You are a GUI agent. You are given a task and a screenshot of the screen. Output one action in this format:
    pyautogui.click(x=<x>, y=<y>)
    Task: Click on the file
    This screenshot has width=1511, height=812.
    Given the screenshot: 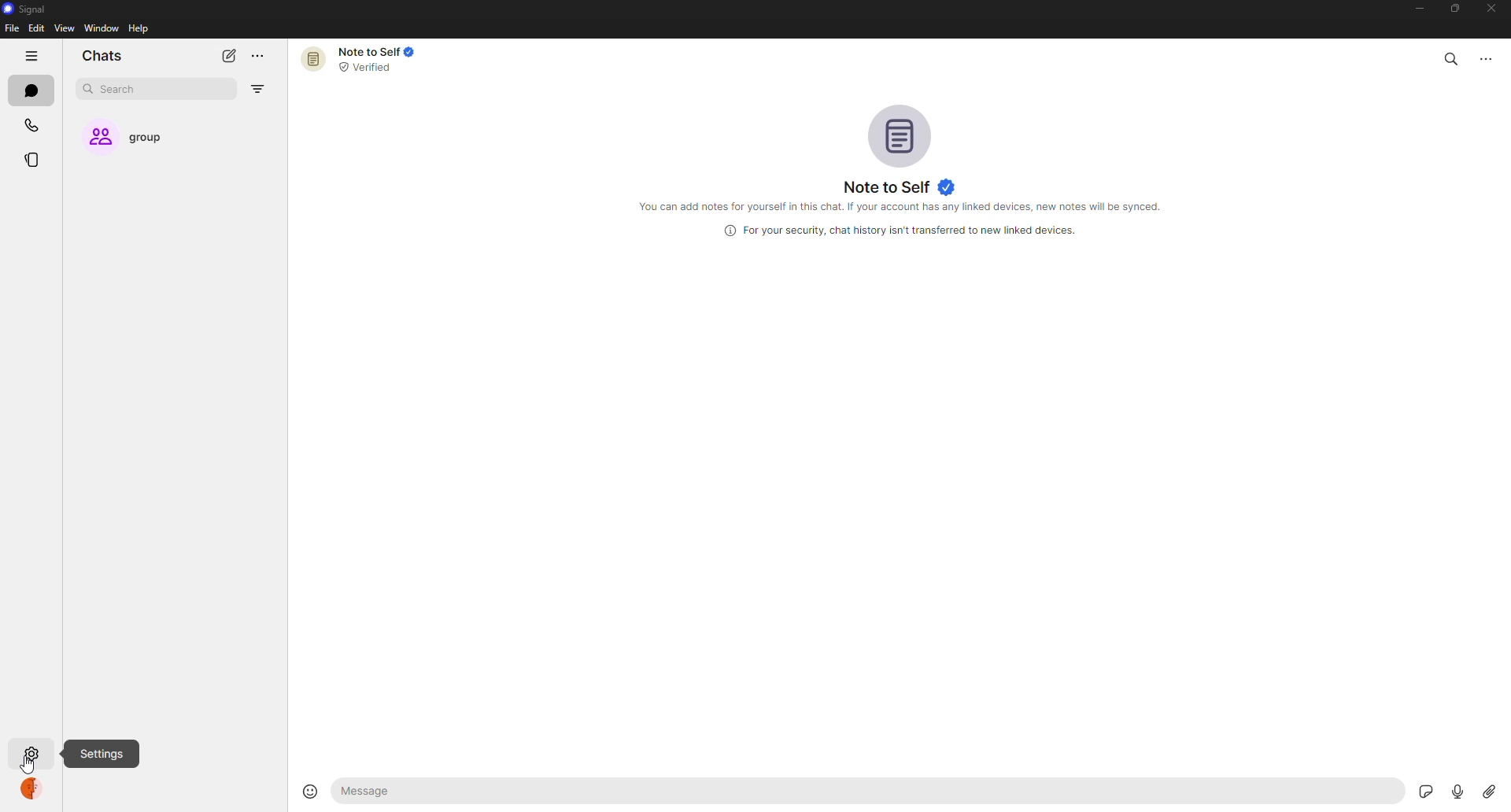 What is the action you would take?
    pyautogui.click(x=11, y=29)
    